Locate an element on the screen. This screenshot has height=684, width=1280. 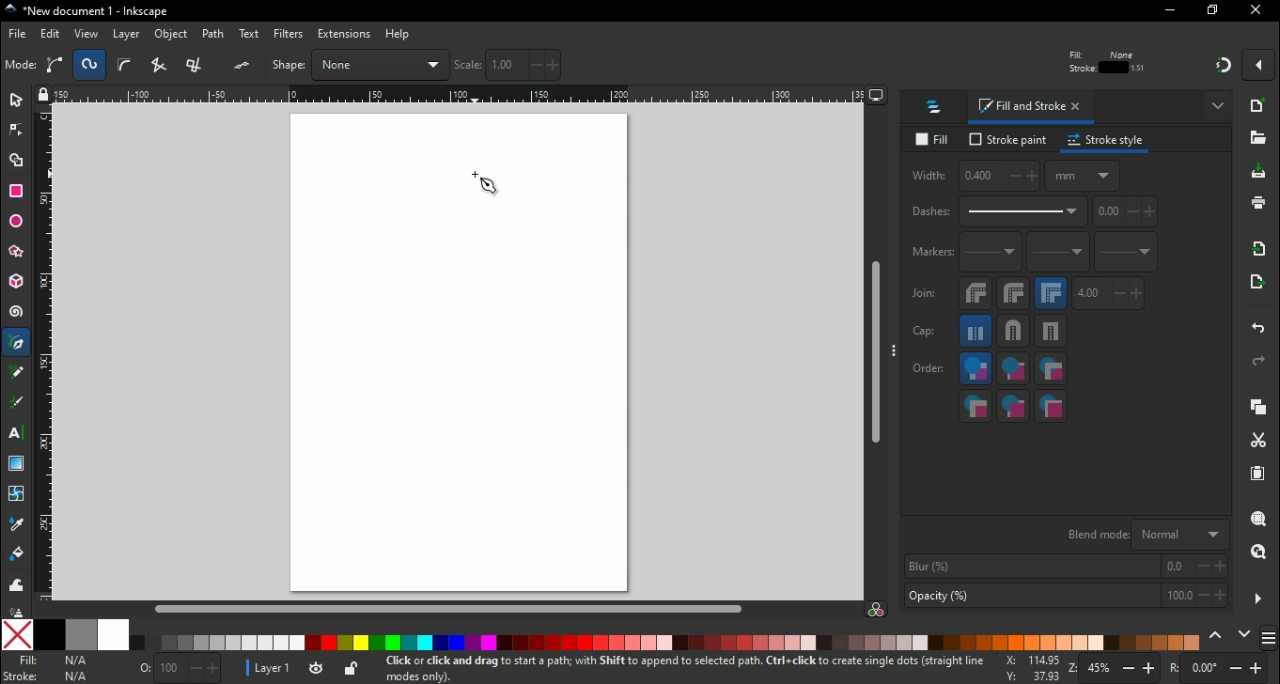
create a sequence of paraxial line segments is located at coordinates (198, 65).